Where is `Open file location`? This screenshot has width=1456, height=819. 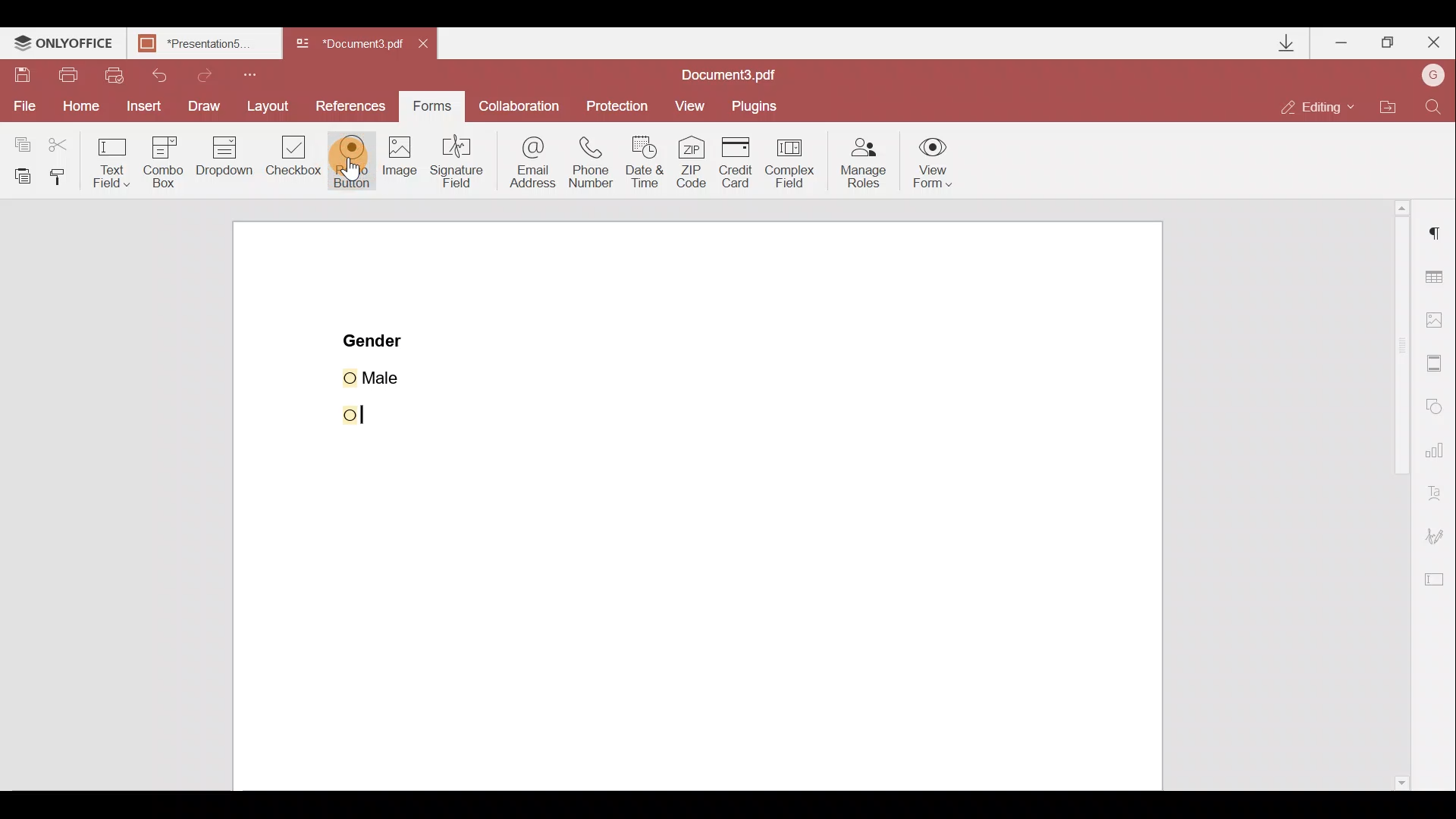
Open file location is located at coordinates (1395, 105).